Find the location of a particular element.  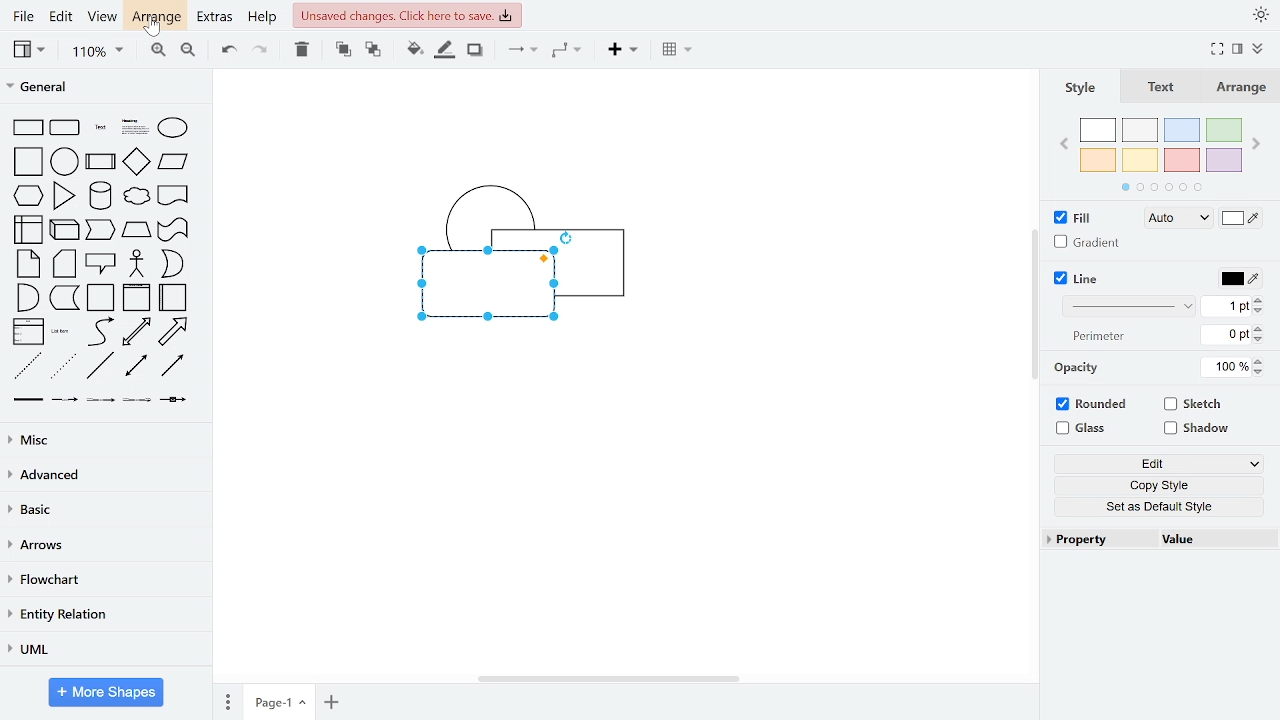

tape is located at coordinates (173, 231).